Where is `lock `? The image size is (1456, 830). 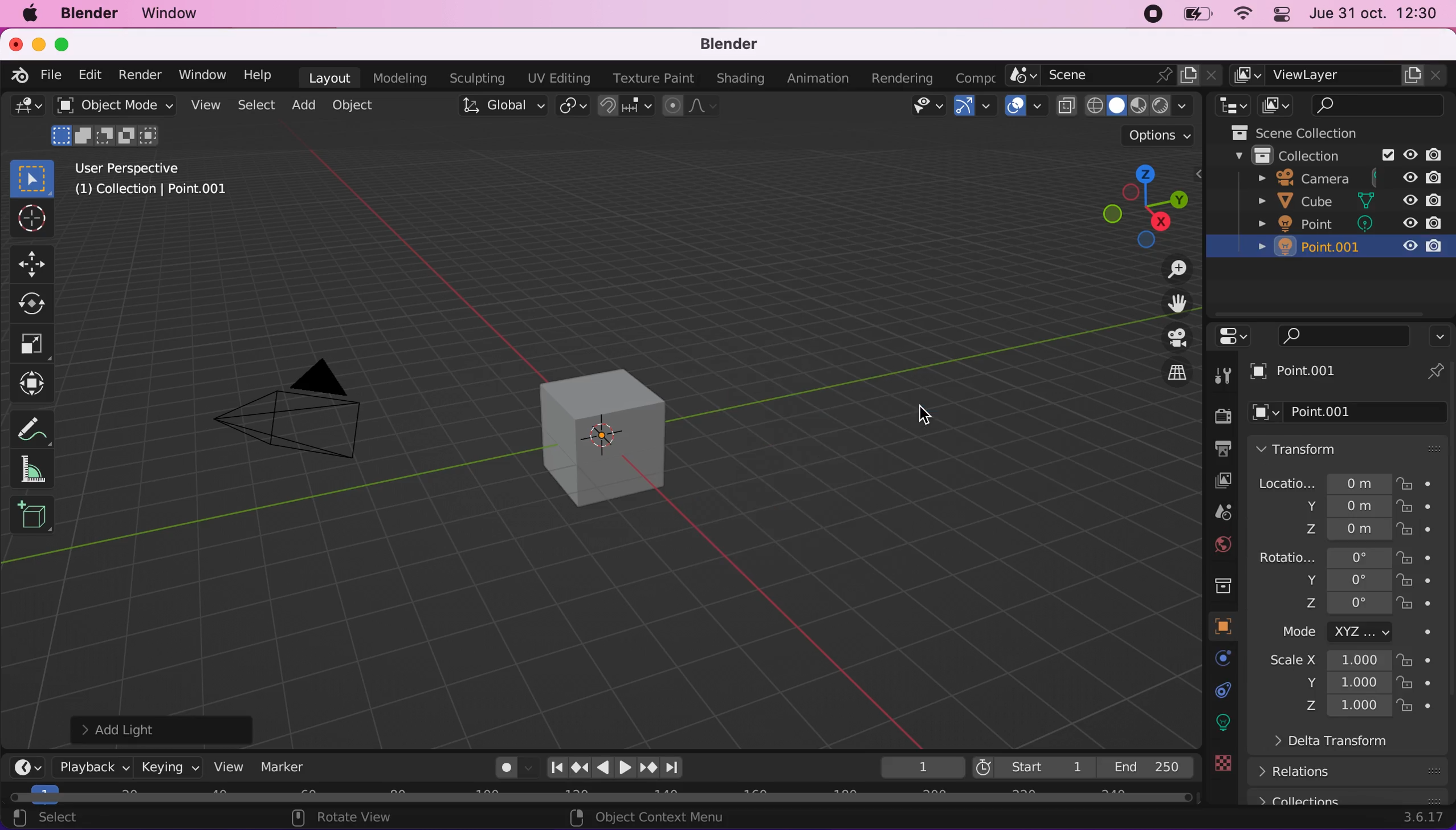
lock  is located at coordinates (1423, 556).